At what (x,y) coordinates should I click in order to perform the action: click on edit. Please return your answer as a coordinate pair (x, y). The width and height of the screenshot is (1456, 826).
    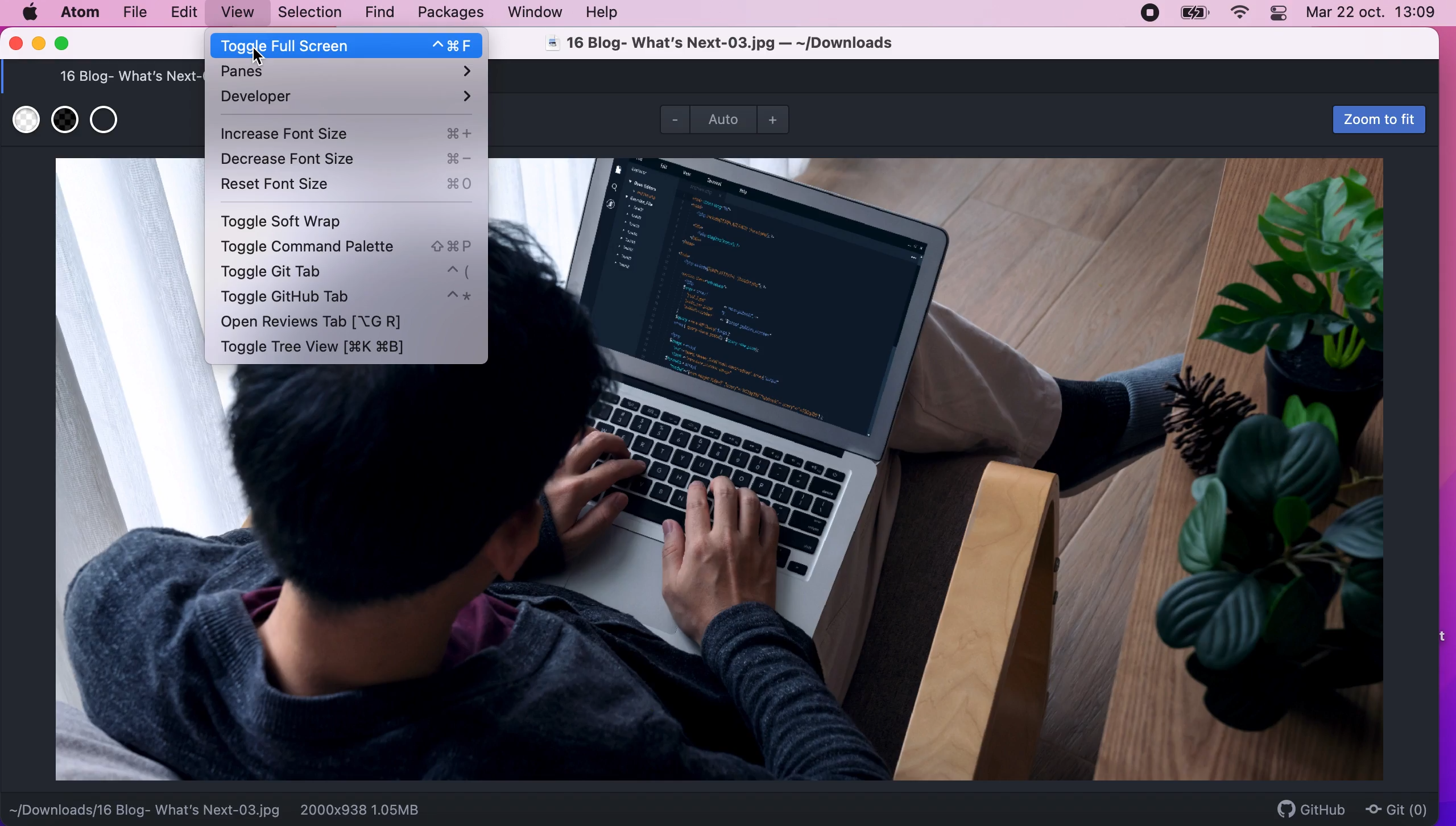
    Looking at the image, I should click on (189, 14).